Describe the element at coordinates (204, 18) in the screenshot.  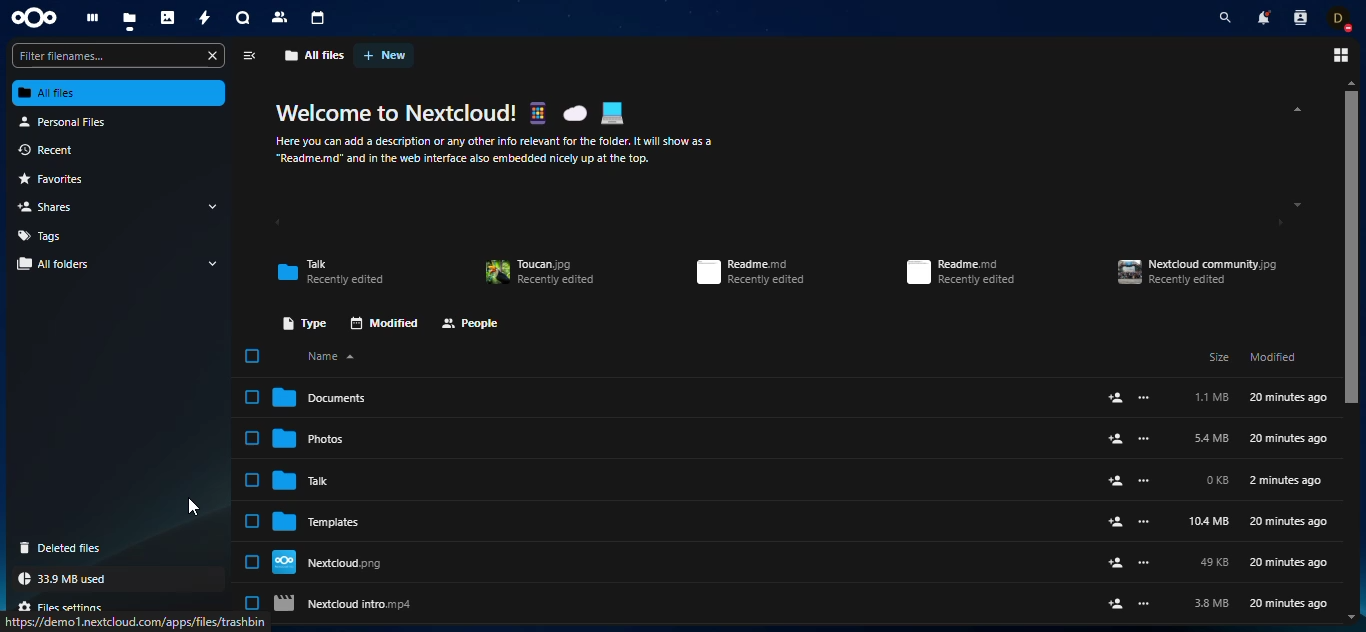
I see `Activity` at that location.